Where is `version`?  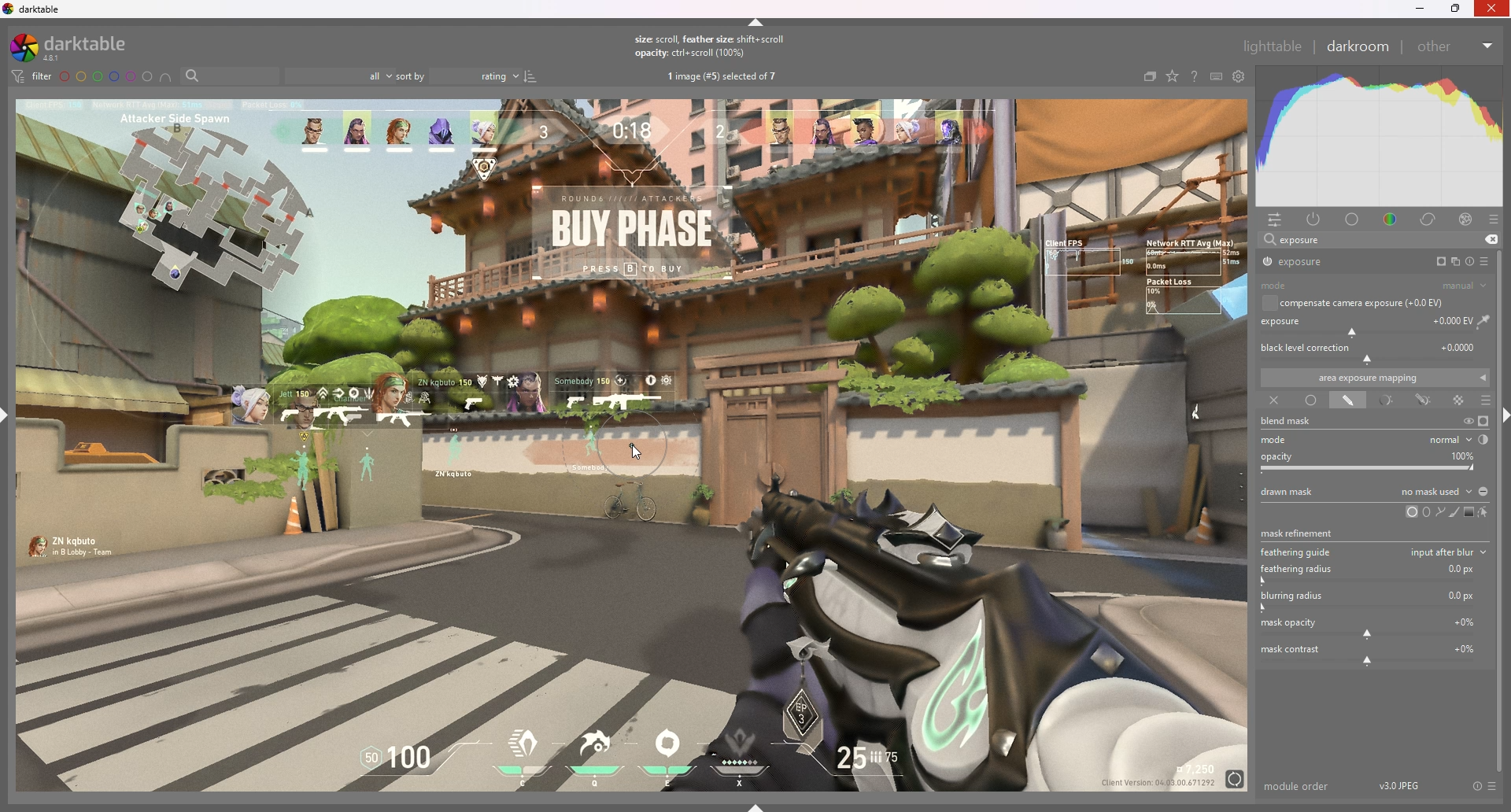
version is located at coordinates (1400, 784).